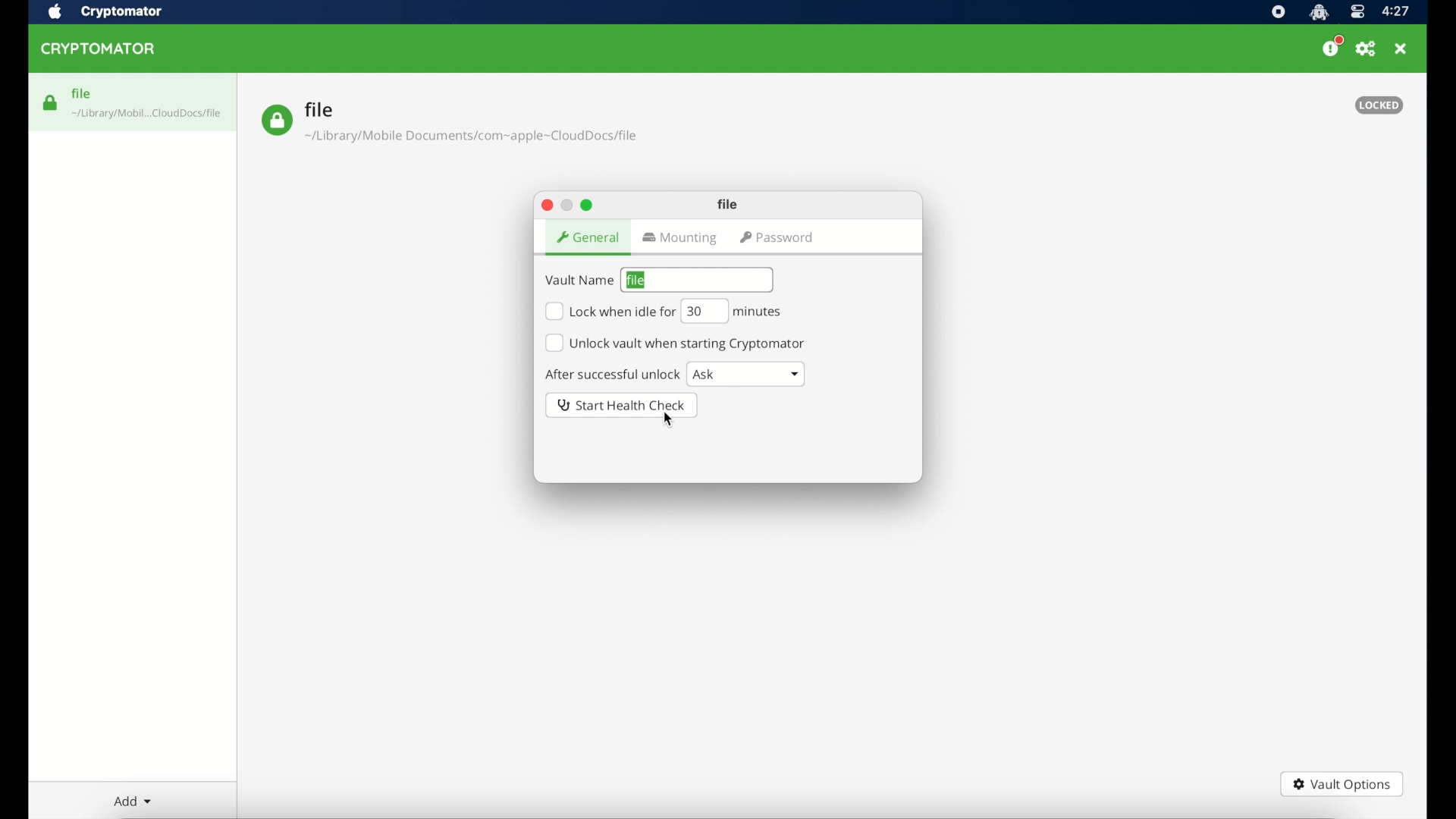 The height and width of the screenshot is (819, 1456). I want to click on close, so click(1402, 49).